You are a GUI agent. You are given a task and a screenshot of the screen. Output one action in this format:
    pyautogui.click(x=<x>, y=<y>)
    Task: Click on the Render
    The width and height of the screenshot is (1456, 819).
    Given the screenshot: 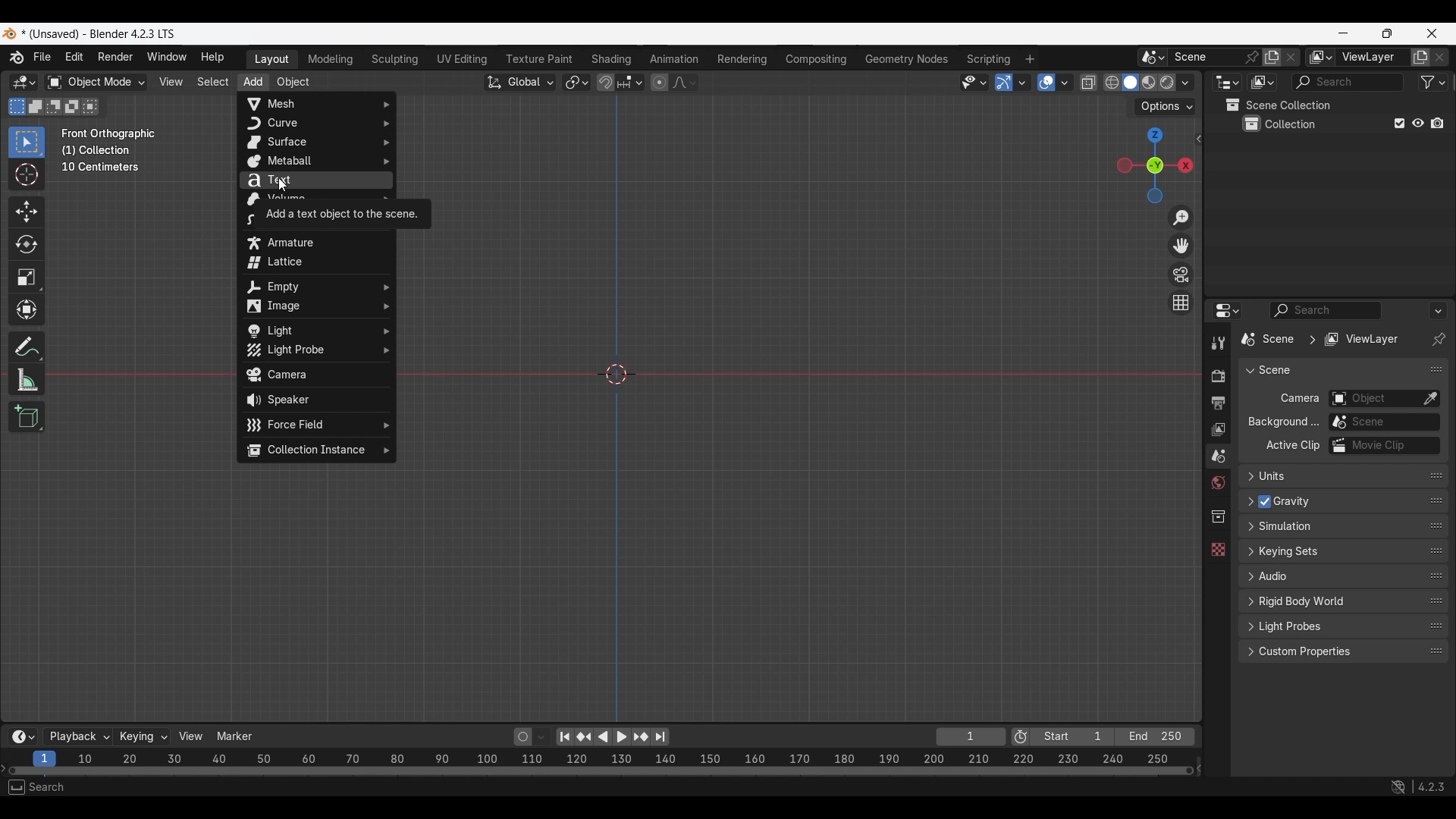 What is the action you would take?
    pyautogui.click(x=1217, y=375)
    